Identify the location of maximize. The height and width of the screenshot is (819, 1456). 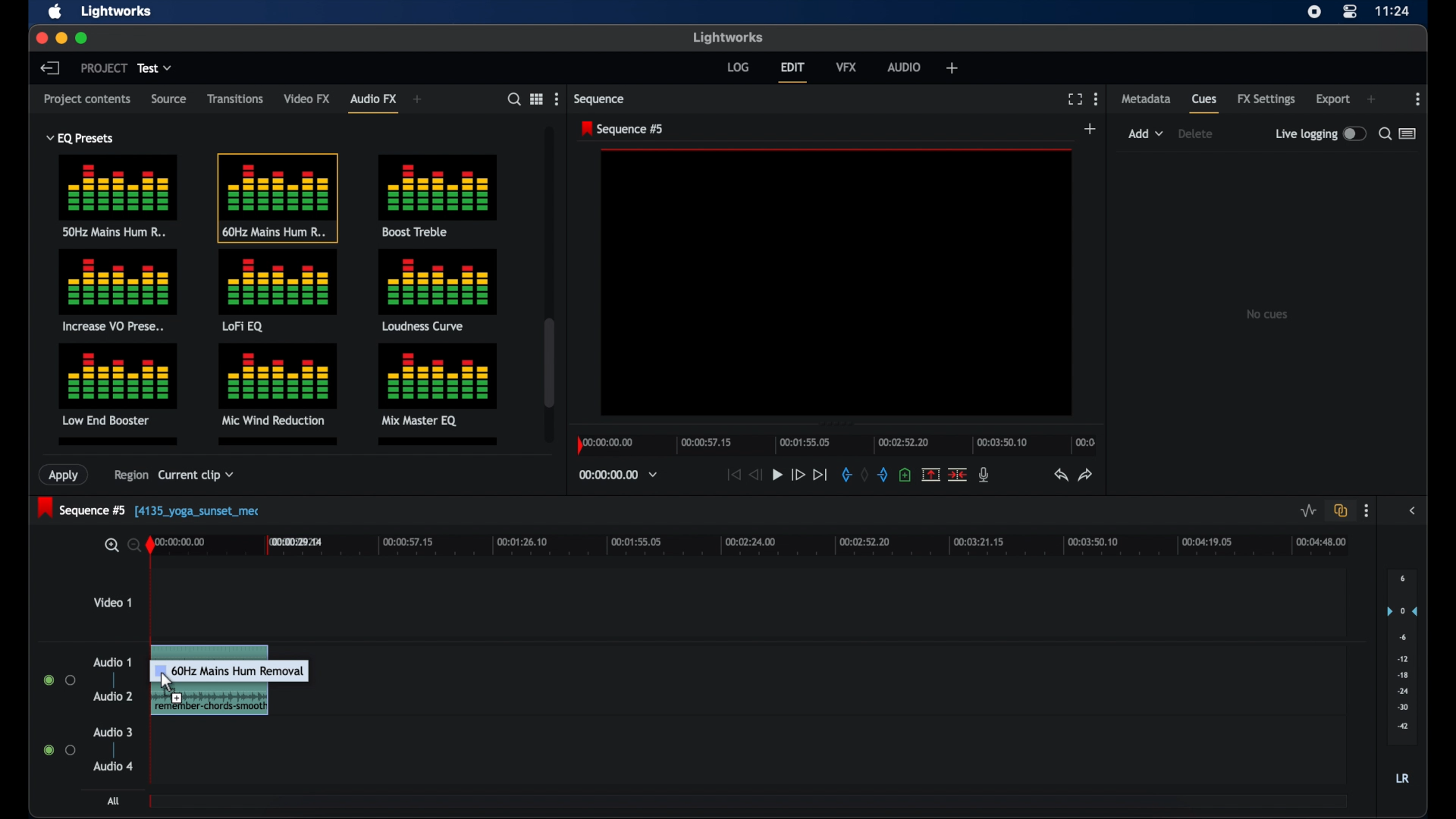
(83, 39).